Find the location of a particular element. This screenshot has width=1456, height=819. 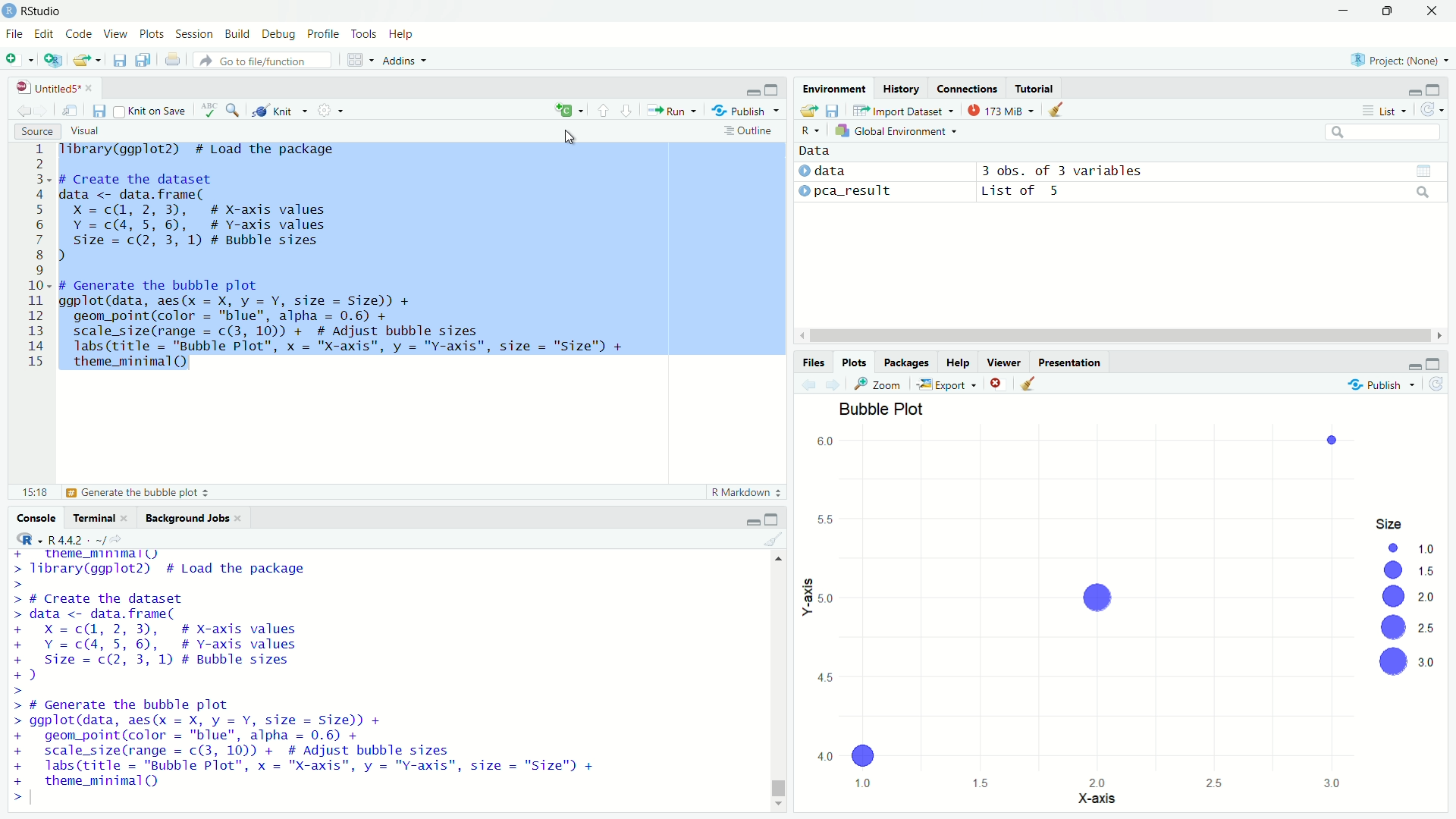

go to next section is located at coordinates (628, 108).